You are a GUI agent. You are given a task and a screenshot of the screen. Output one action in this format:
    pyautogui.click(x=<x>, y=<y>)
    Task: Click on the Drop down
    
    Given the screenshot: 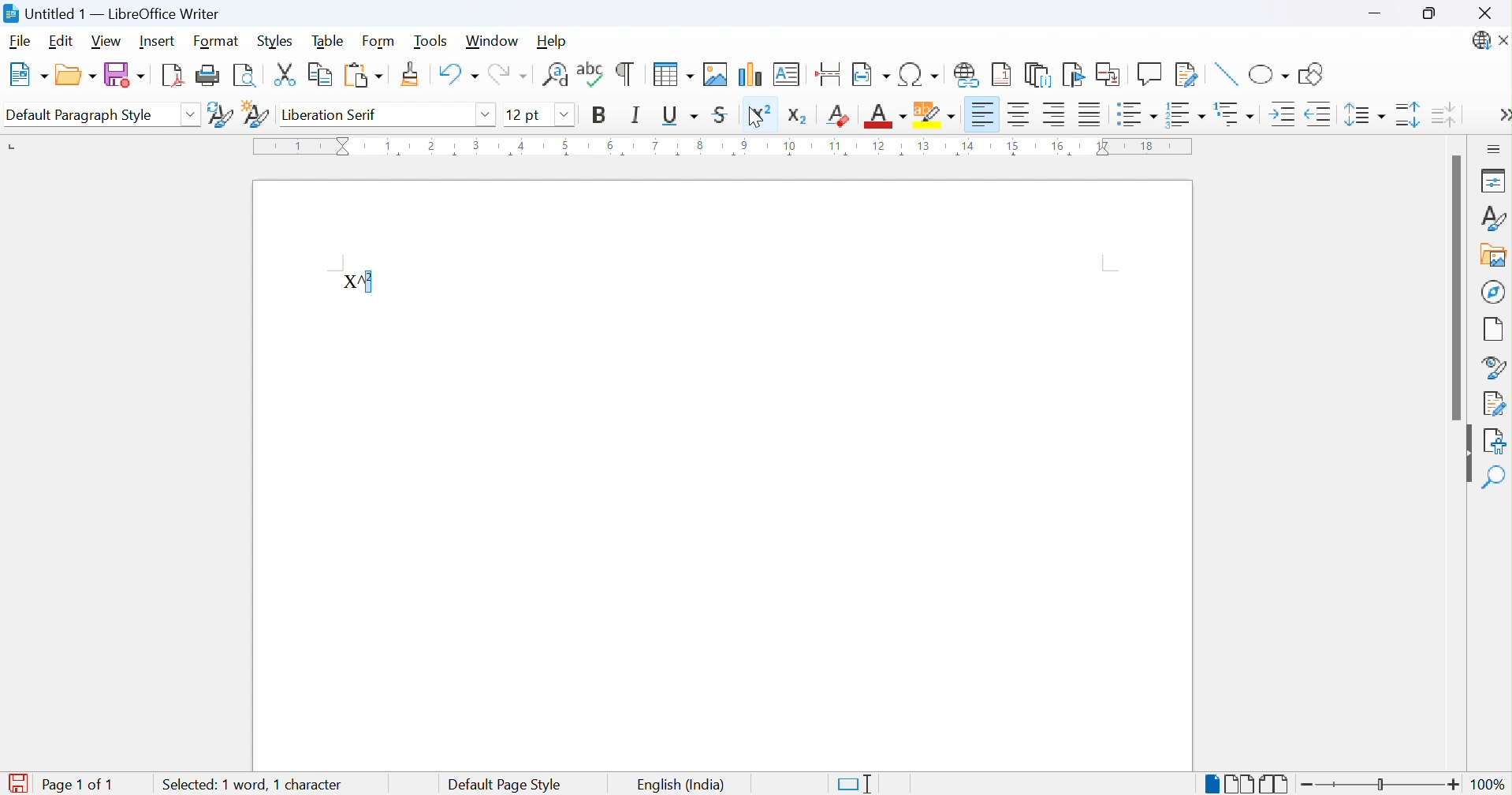 What is the action you would take?
    pyautogui.click(x=487, y=114)
    